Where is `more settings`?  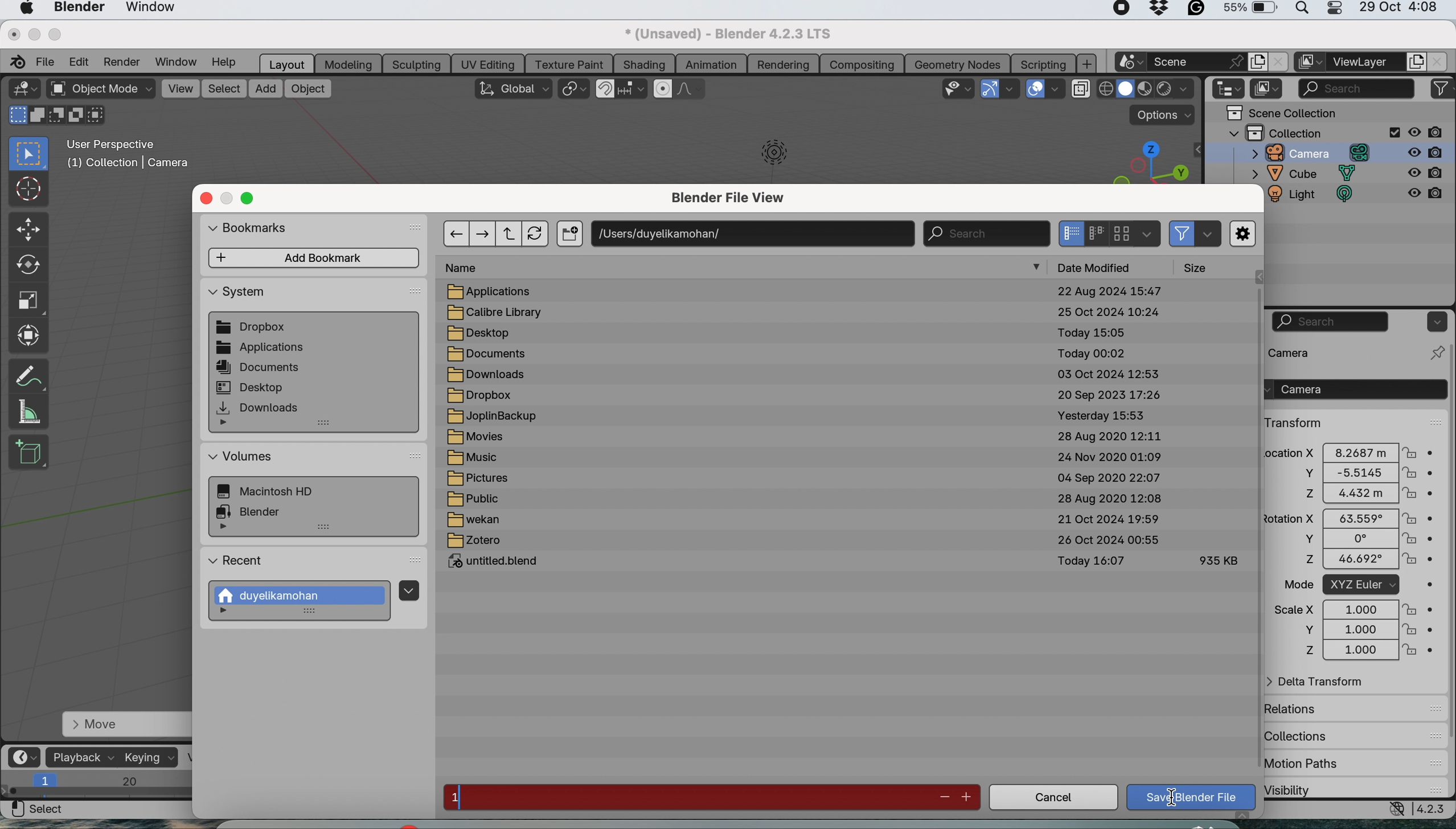 more settings is located at coordinates (1244, 235).